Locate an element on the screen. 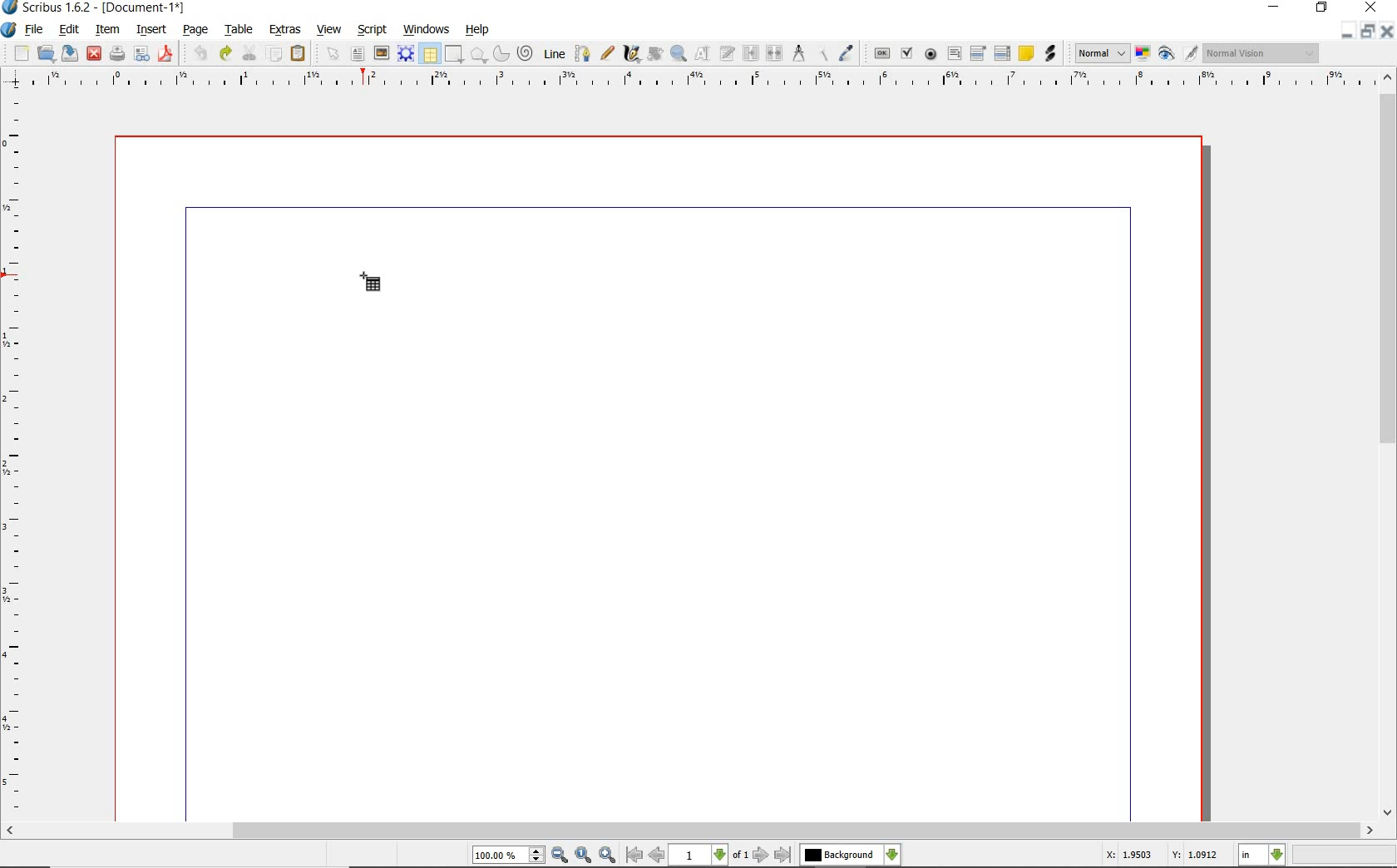 The image size is (1397, 868). shape is located at coordinates (452, 55).